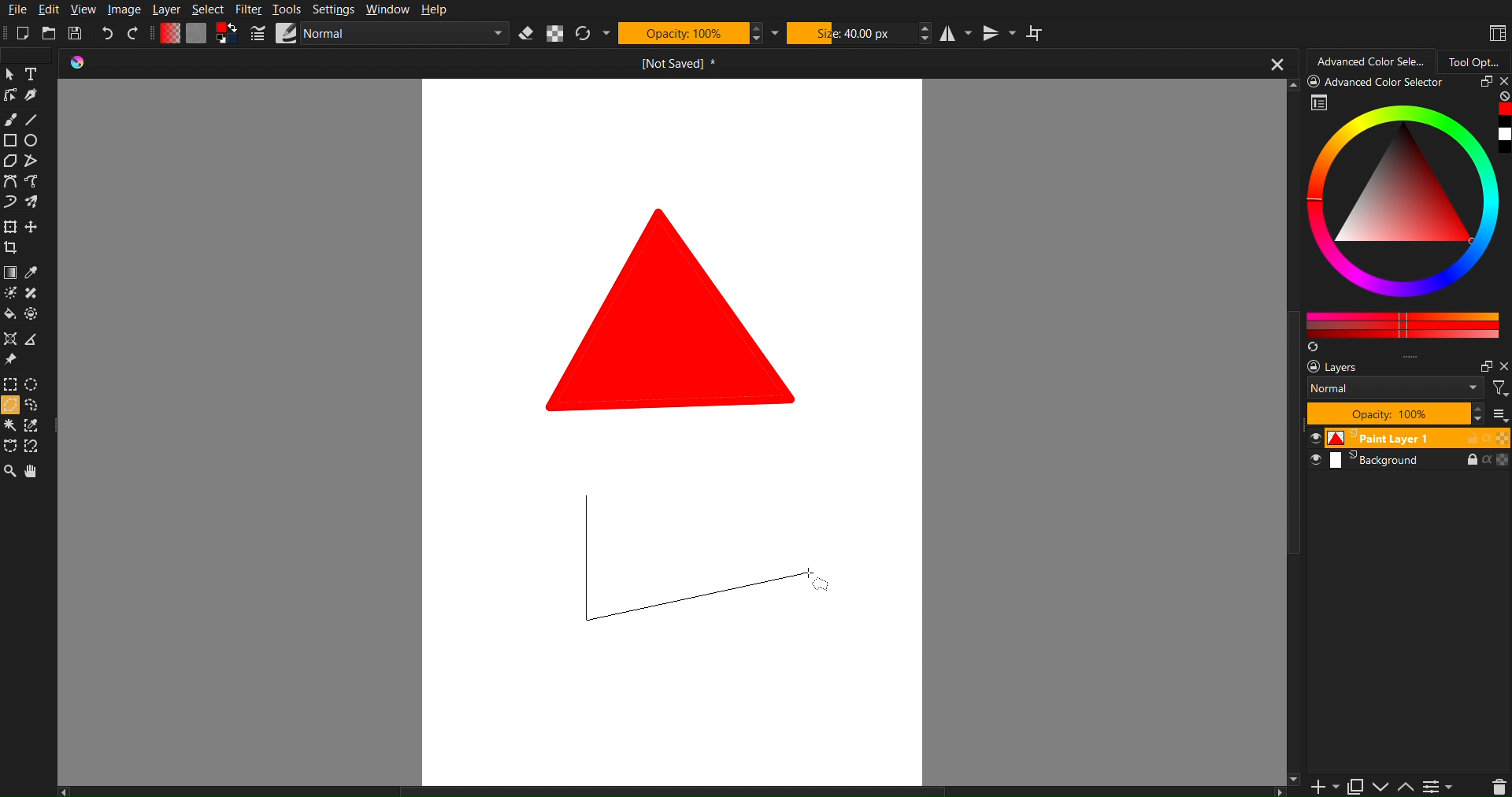 This screenshot has height=797, width=1512. Describe the element at coordinates (435, 11) in the screenshot. I see `Help` at that location.